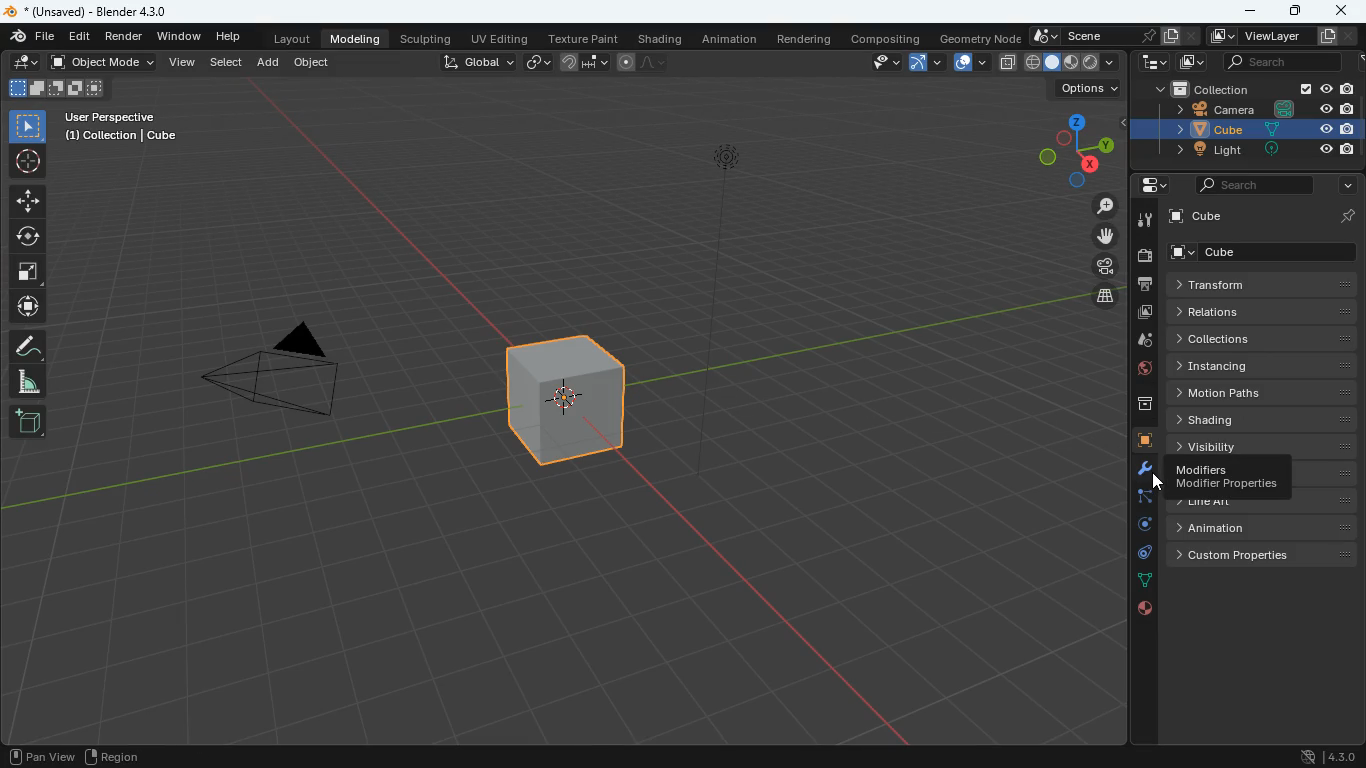 This screenshot has width=1366, height=768. What do you see at coordinates (581, 36) in the screenshot?
I see `texture paint` at bounding box center [581, 36].